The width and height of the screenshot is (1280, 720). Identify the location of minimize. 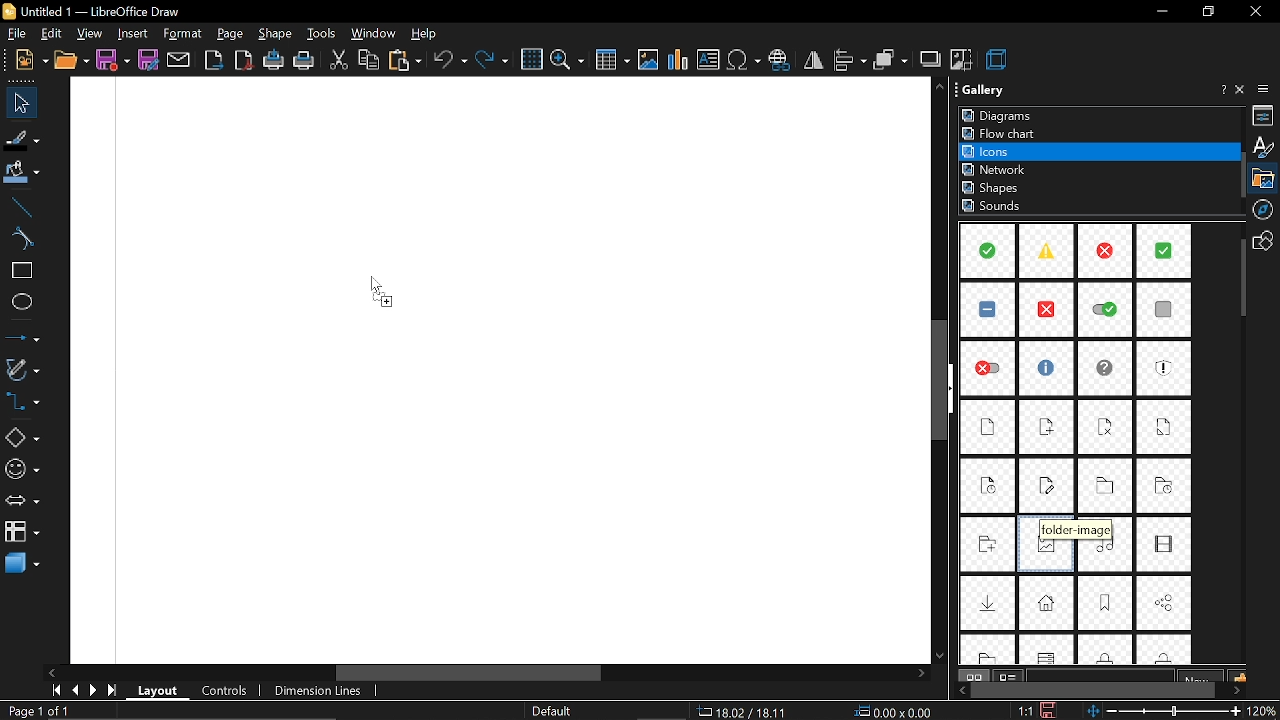
(1164, 11).